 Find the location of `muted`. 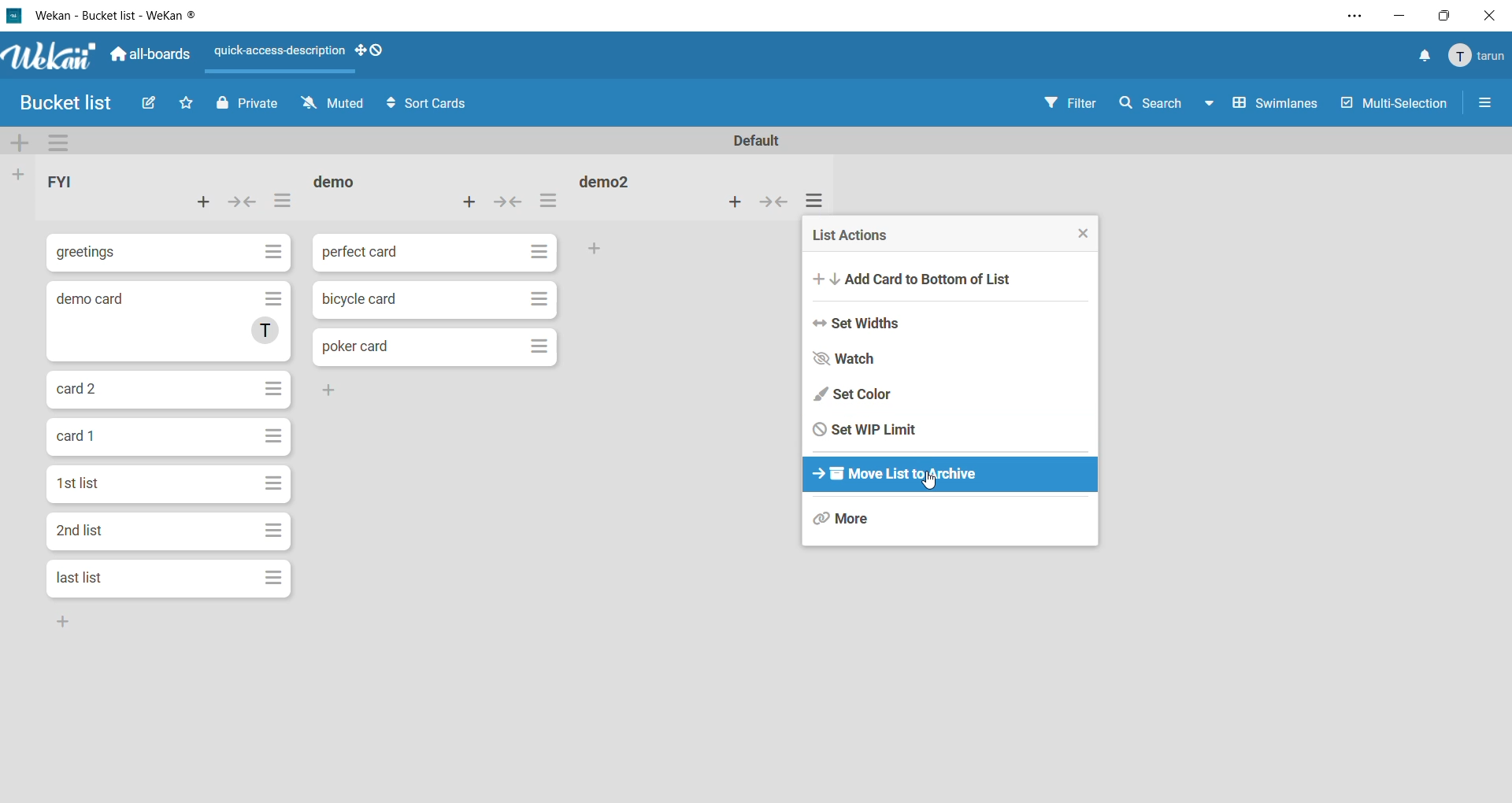

muted is located at coordinates (329, 106).